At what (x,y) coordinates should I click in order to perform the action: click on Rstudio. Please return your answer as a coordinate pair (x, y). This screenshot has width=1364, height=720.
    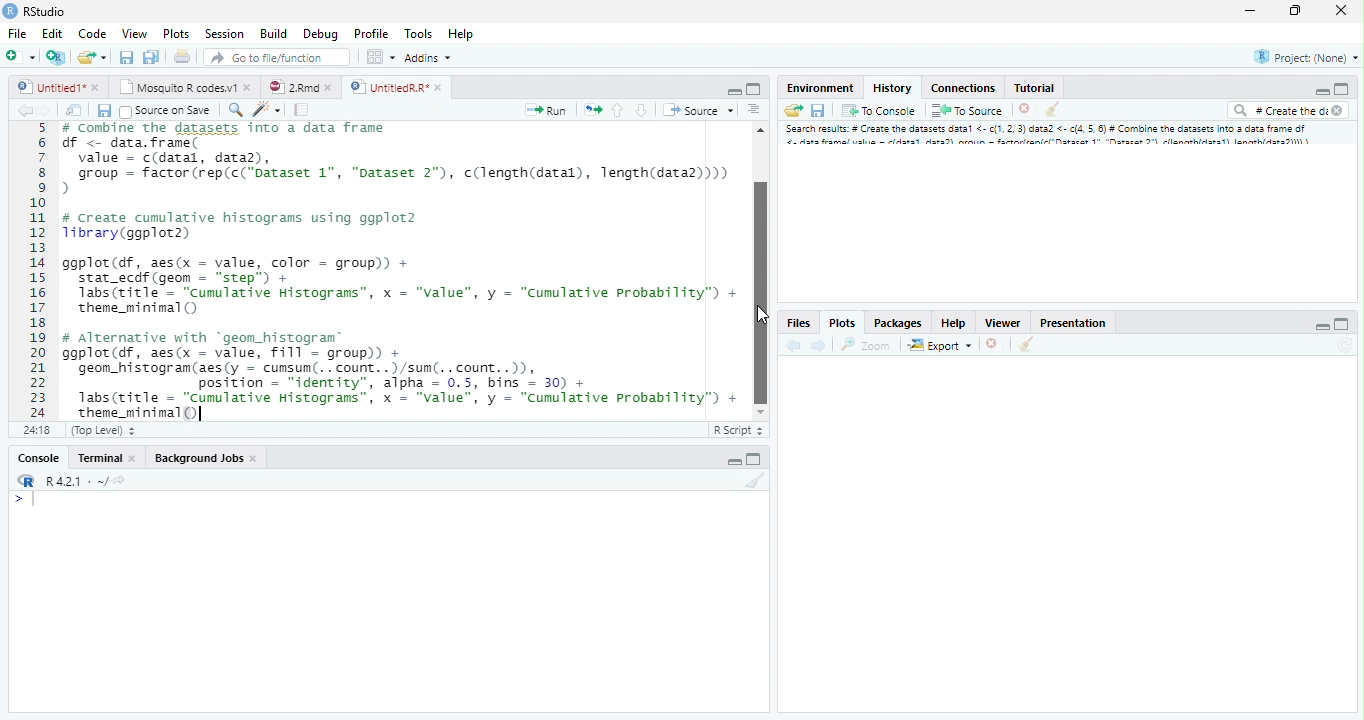
    Looking at the image, I should click on (34, 10).